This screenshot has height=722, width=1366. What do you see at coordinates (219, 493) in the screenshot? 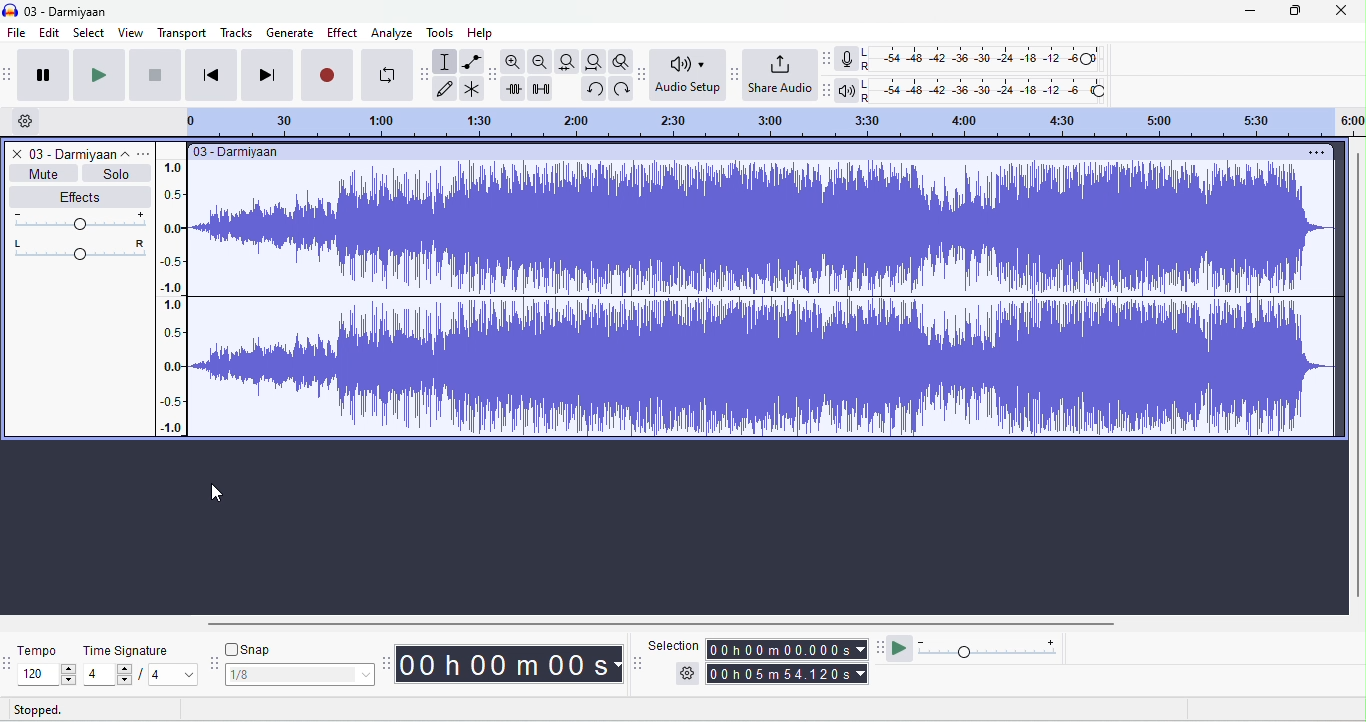
I see `cursor` at bounding box center [219, 493].